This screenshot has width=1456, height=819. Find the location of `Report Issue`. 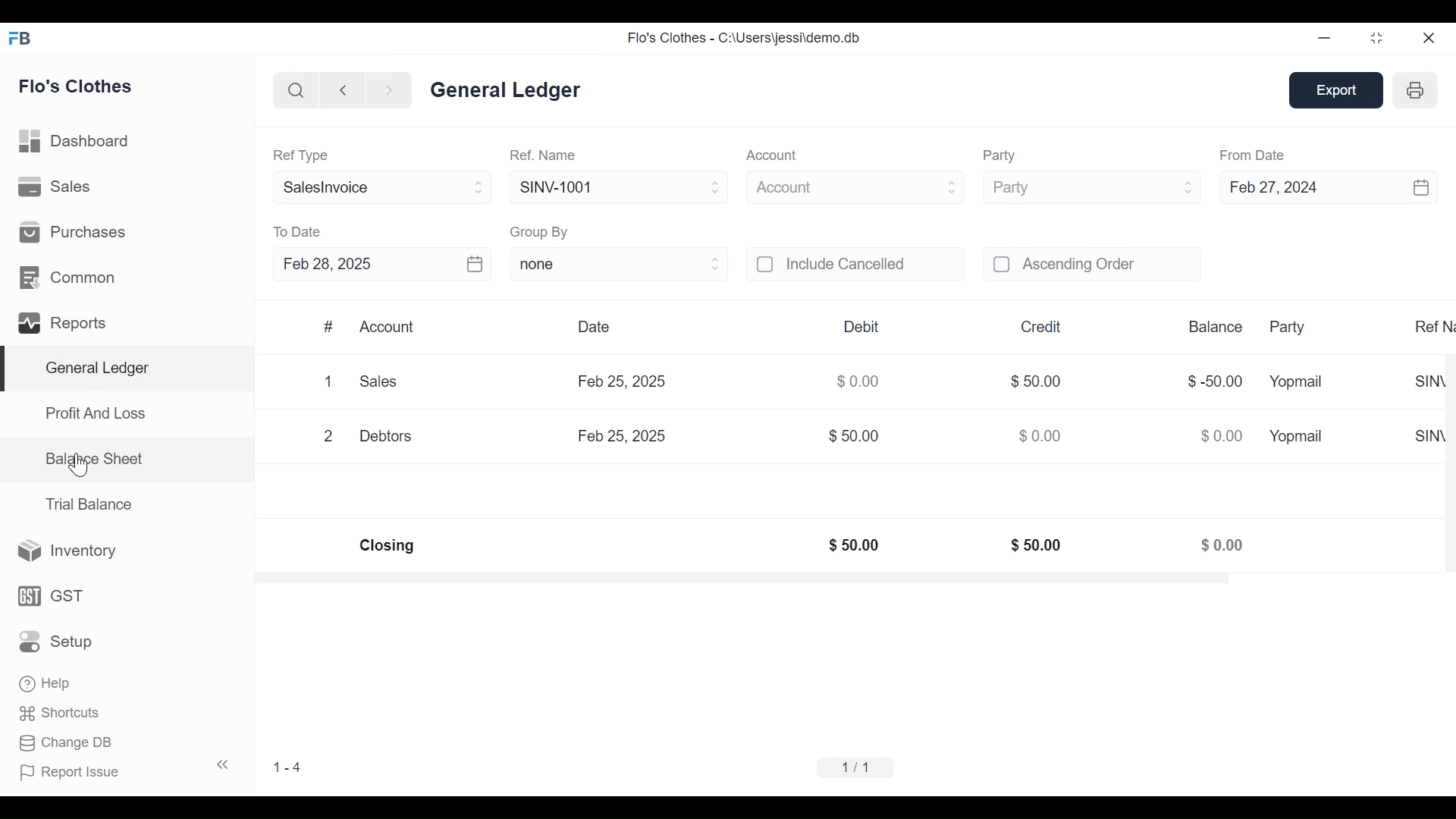

Report Issue is located at coordinates (71, 769).